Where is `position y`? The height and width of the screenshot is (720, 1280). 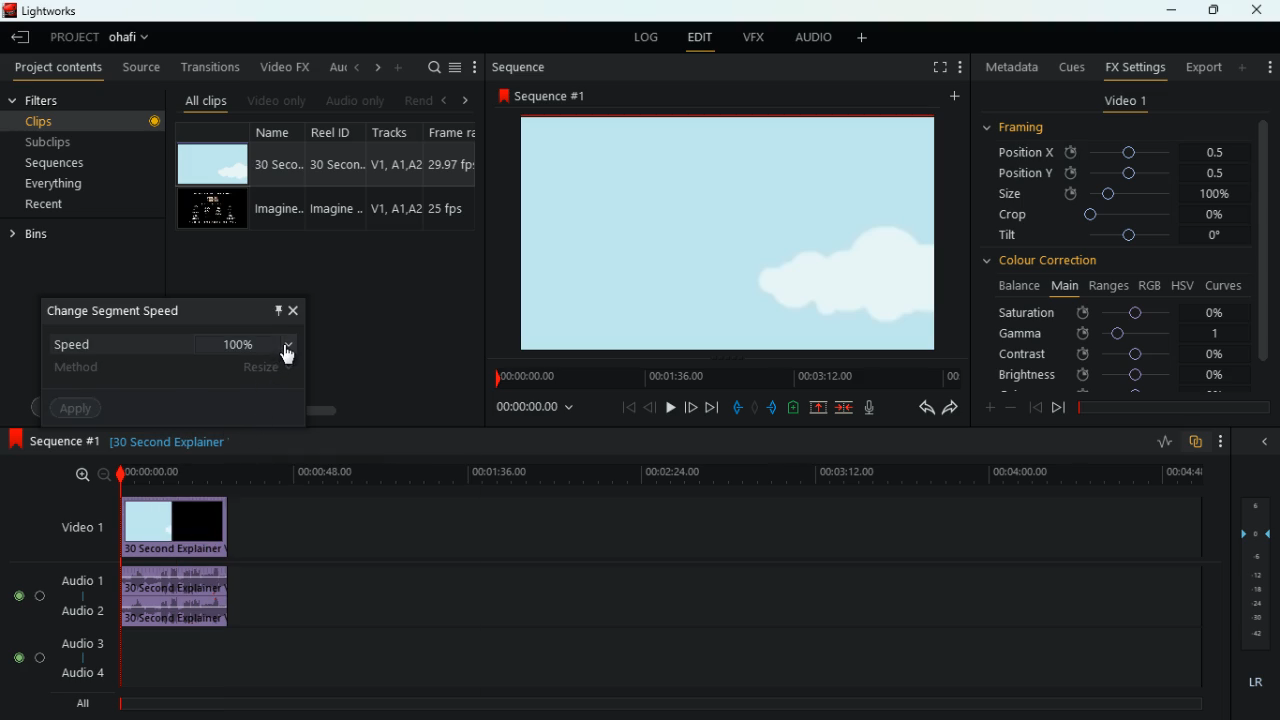
position y is located at coordinates (1115, 173).